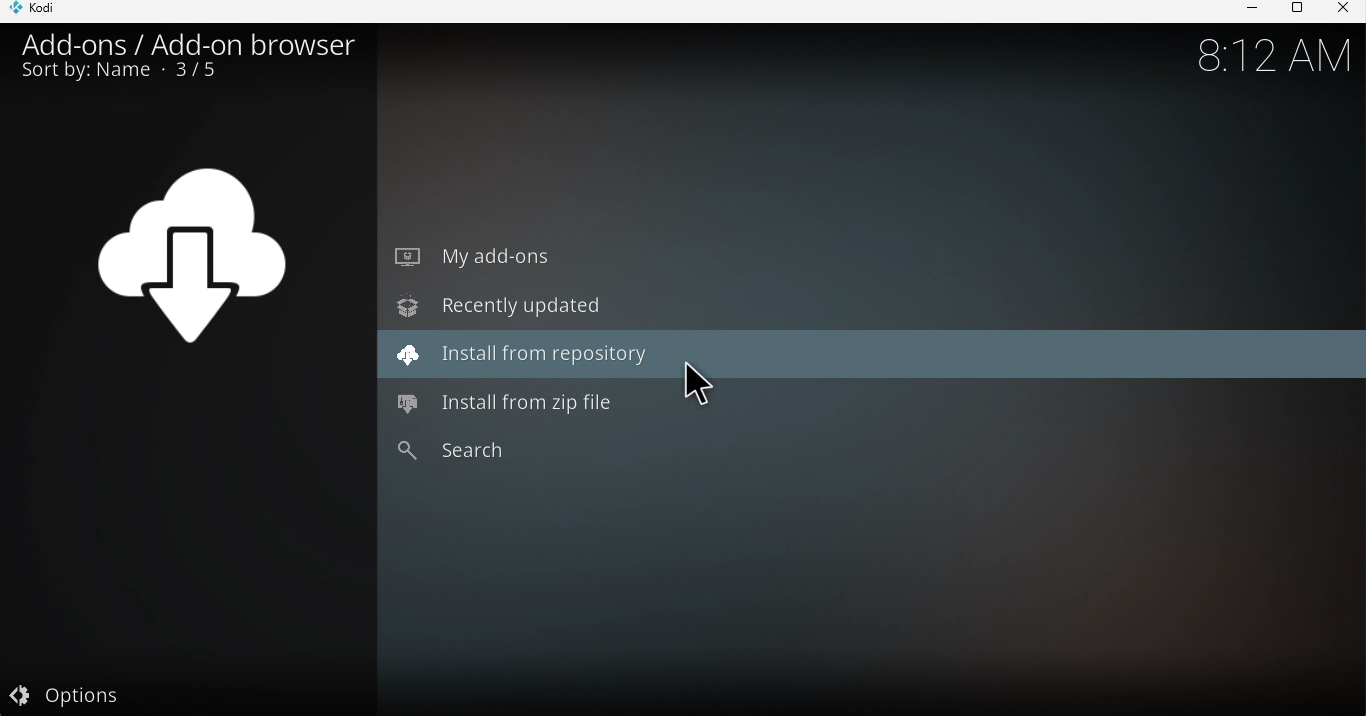 The image size is (1366, 716). I want to click on cursor, so click(696, 388).